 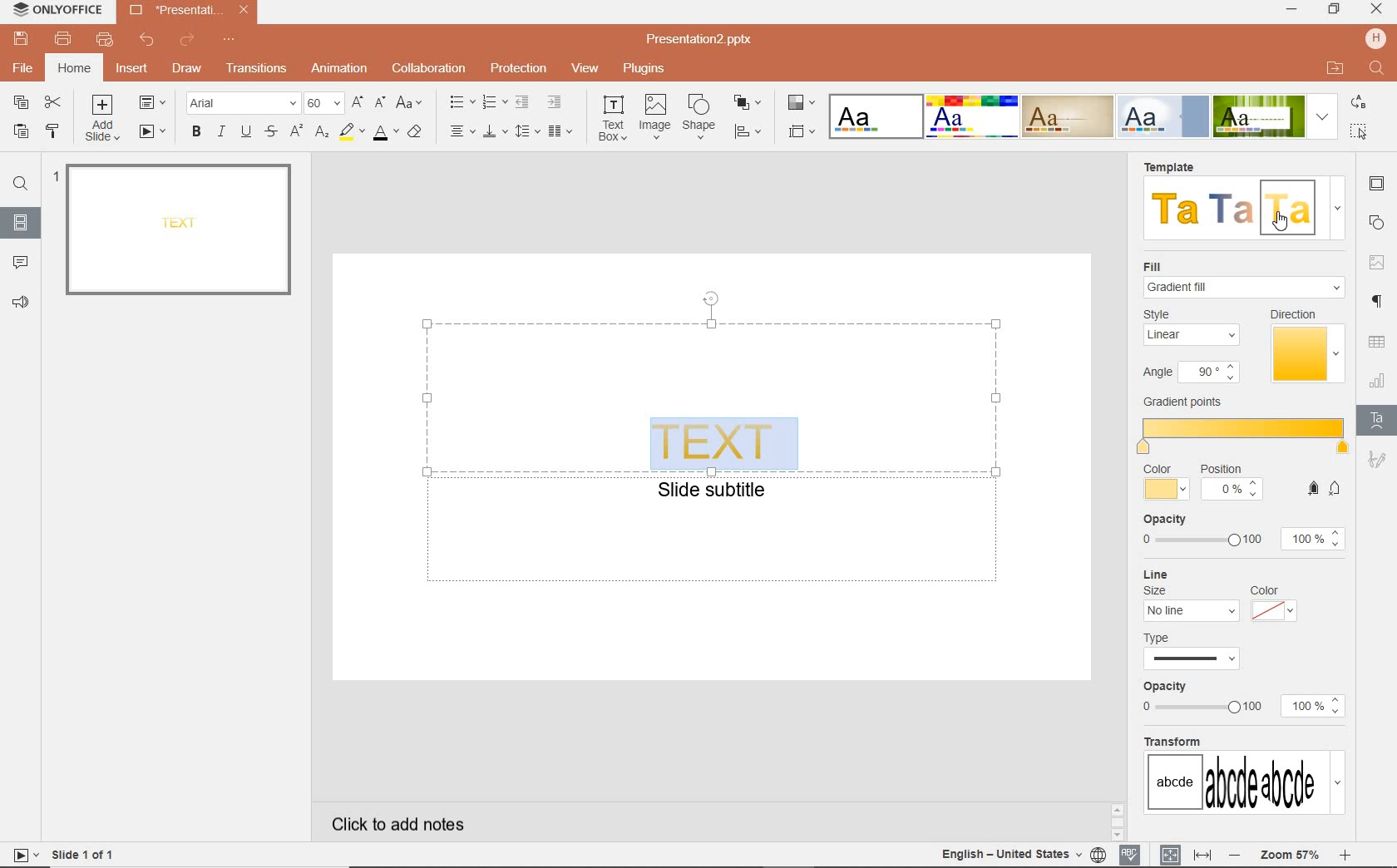 What do you see at coordinates (104, 41) in the screenshot?
I see `QUICK PRINT` at bounding box center [104, 41].